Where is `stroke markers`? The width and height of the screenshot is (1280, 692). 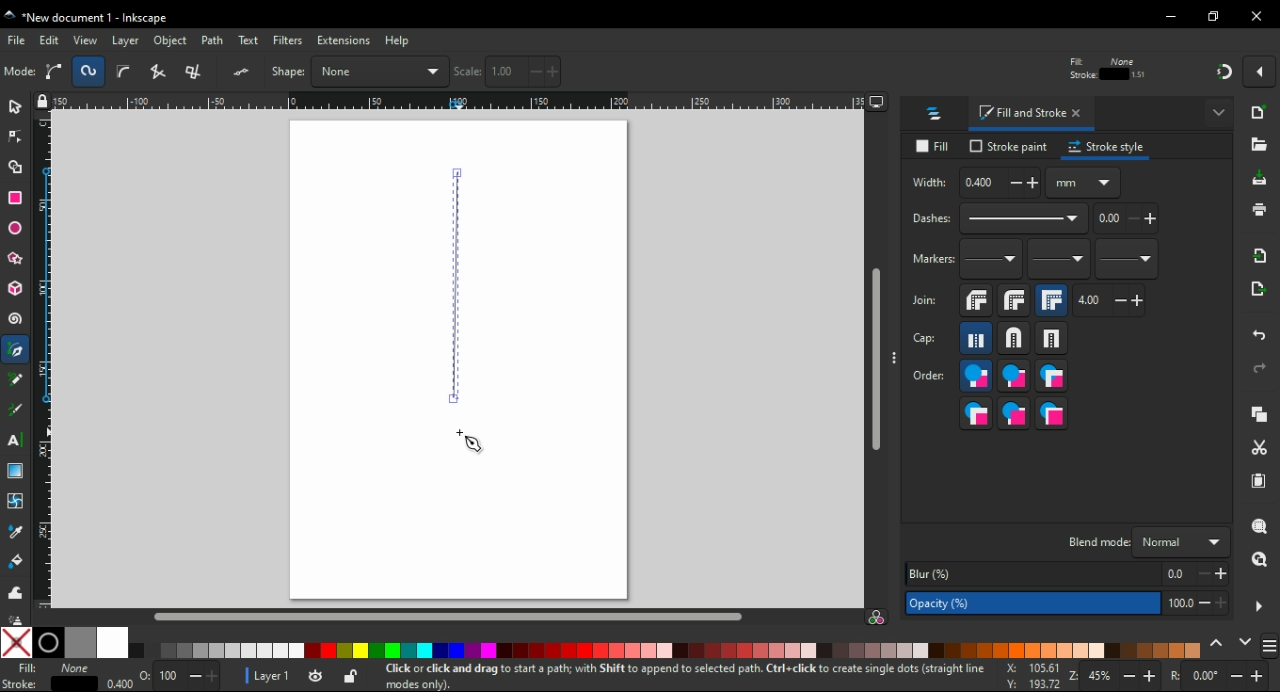
stroke markers is located at coordinates (1014, 413).